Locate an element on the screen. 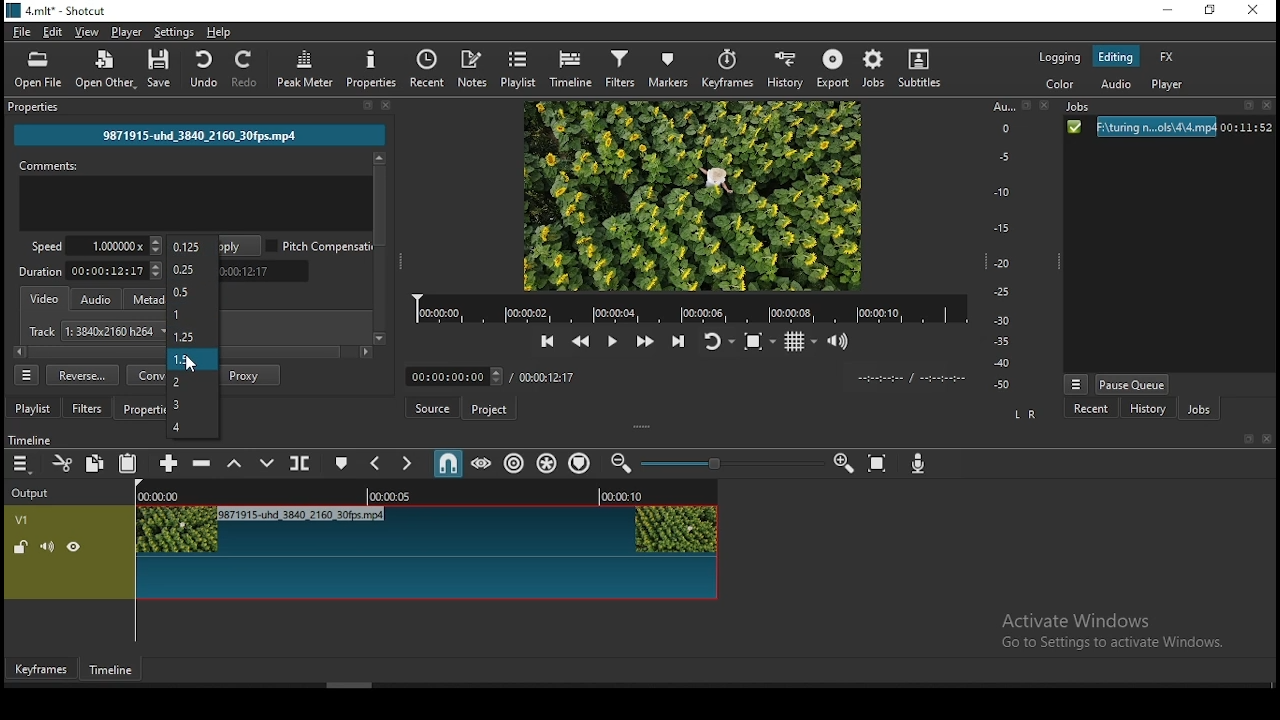 This screenshot has height=720, width=1280. playlist is located at coordinates (517, 69).